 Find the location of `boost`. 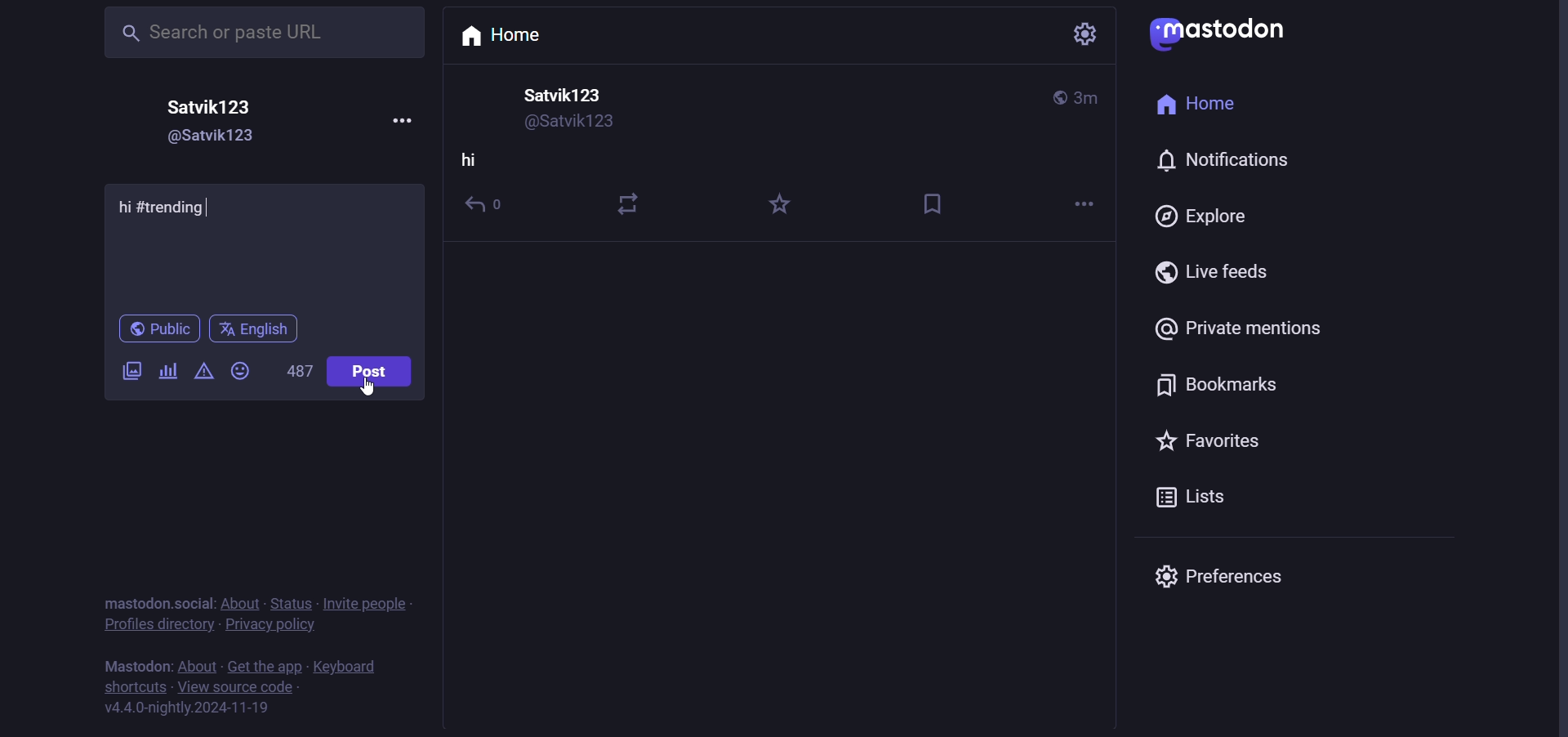

boost is located at coordinates (632, 199).